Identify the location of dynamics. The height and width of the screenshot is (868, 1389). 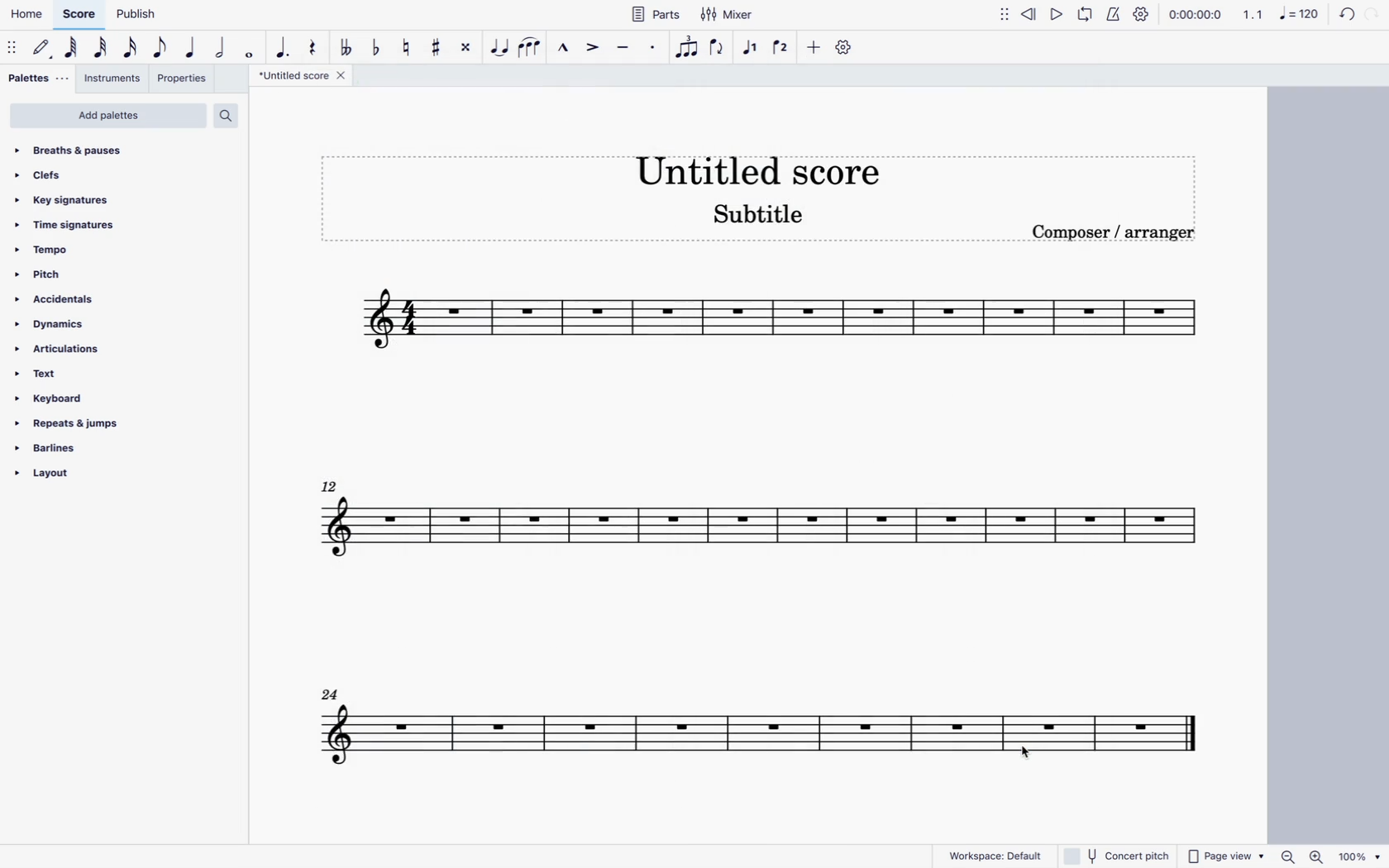
(53, 326).